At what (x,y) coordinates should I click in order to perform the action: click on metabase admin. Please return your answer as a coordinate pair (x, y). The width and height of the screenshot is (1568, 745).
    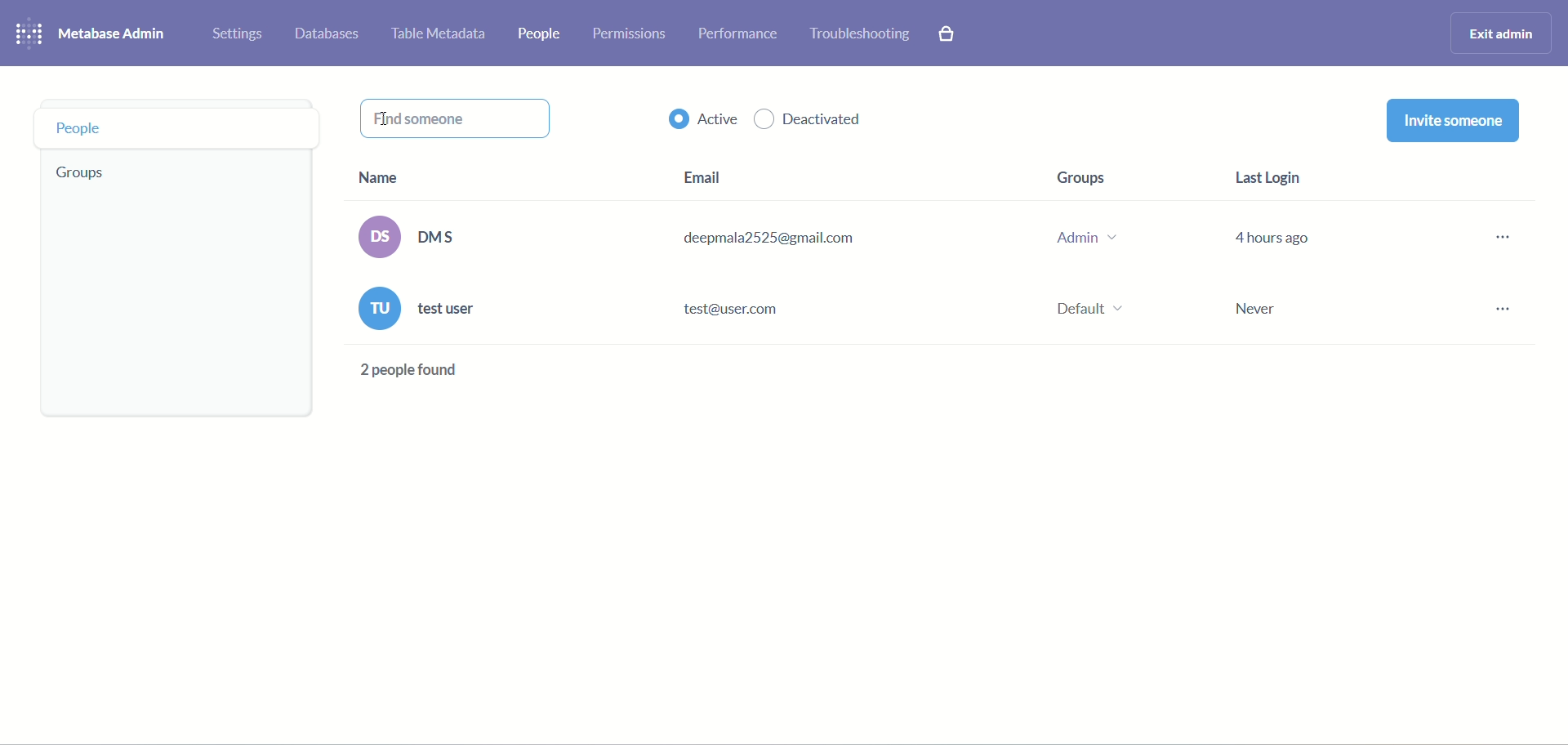
    Looking at the image, I should click on (115, 36).